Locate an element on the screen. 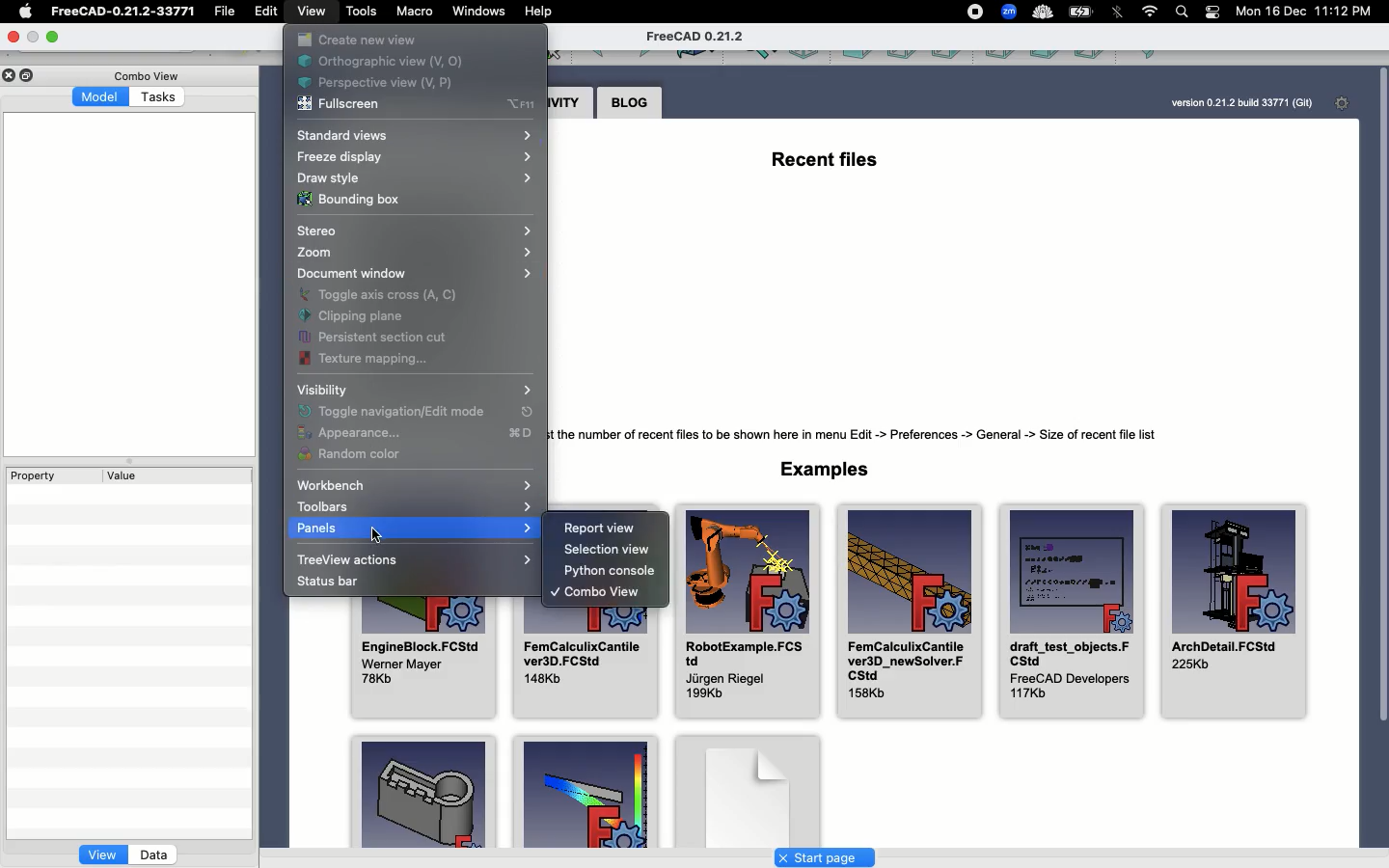 The image size is (1389, 868). Standard view is located at coordinates (422, 135).